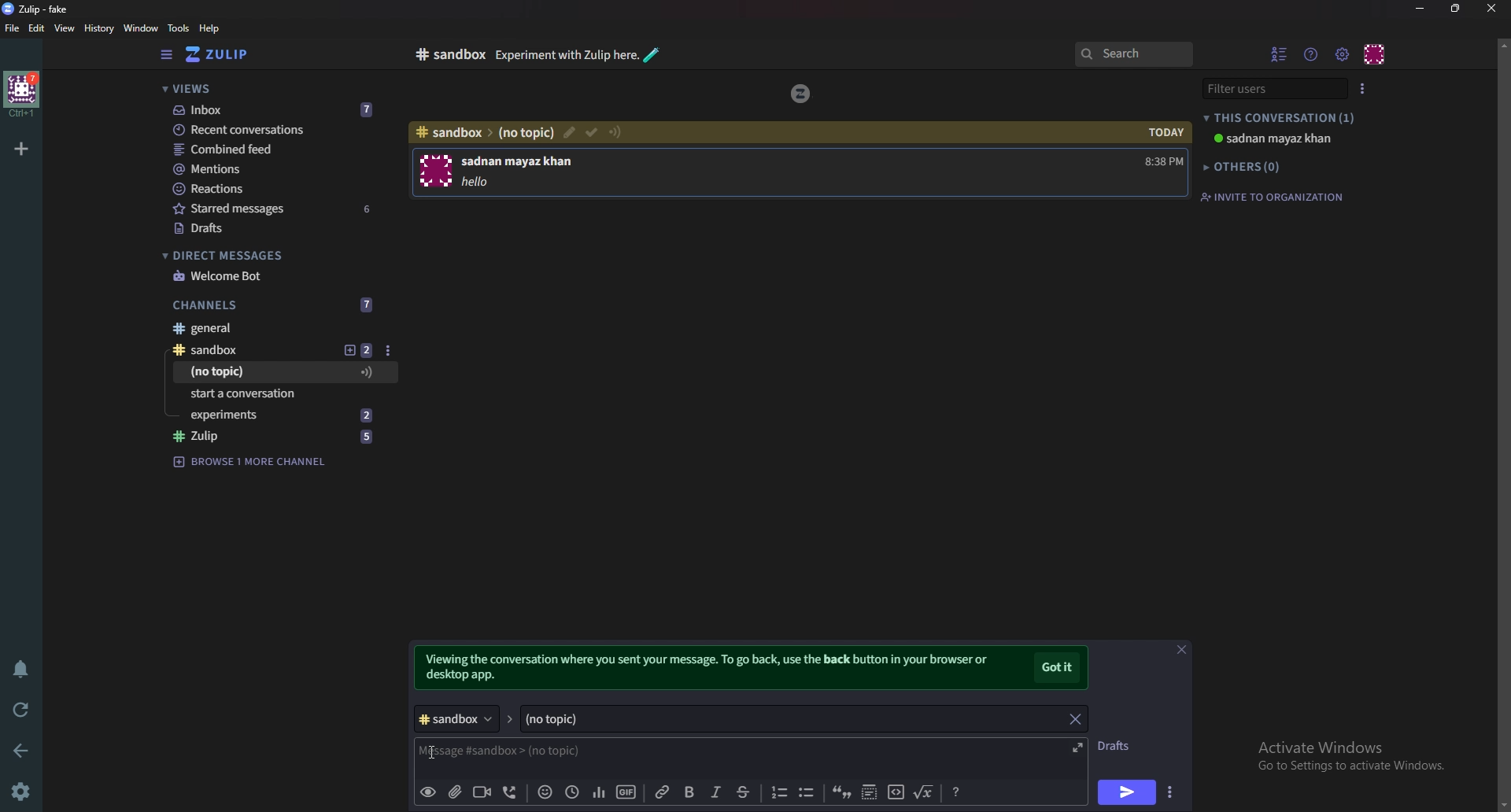  Describe the element at coordinates (37, 31) in the screenshot. I see `Edit` at that location.